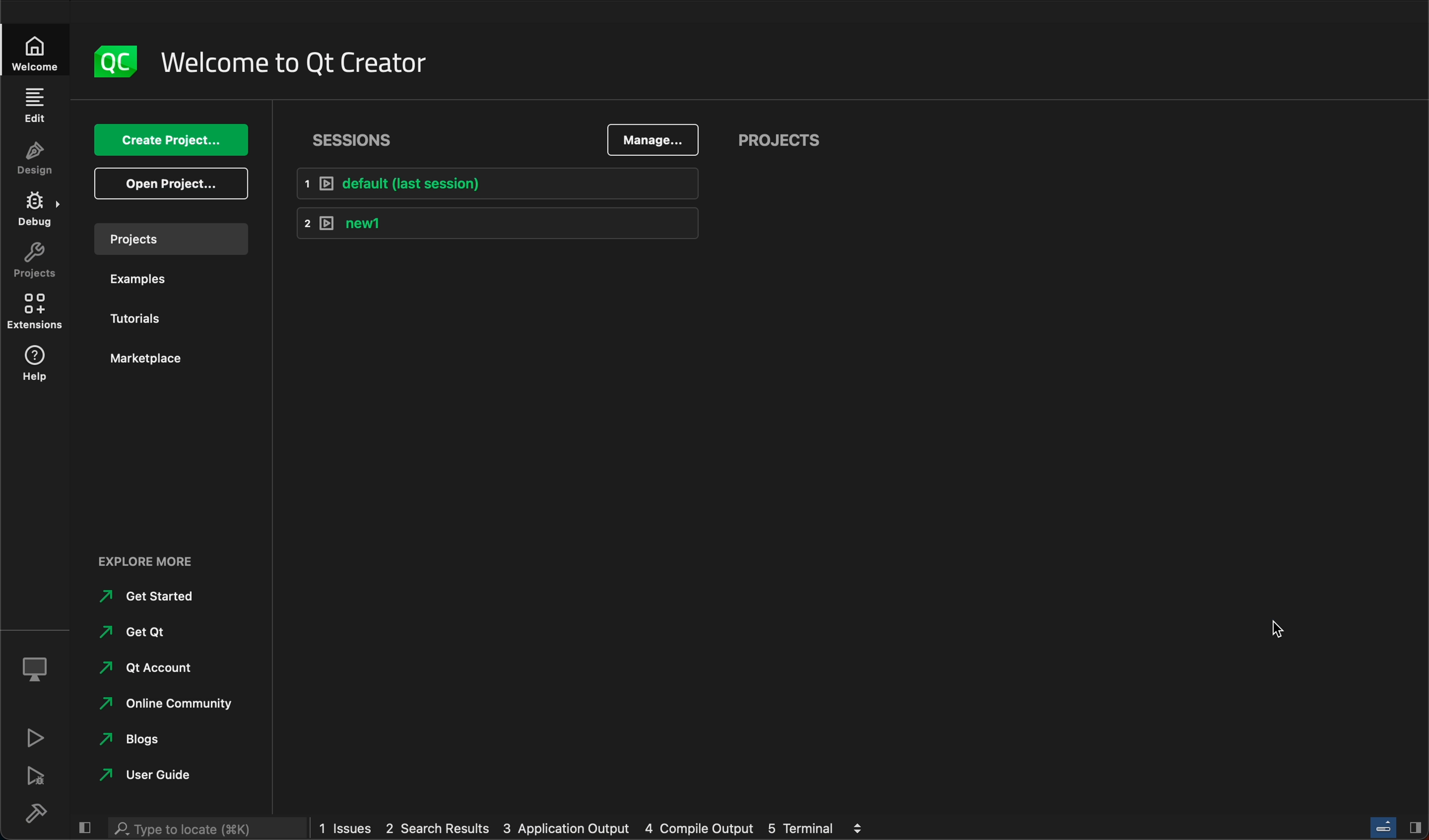 The height and width of the screenshot is (840, 1429). What do you see at coordinates (117, 58) in the screenshot?
I see `logo` at bounding box center [117, 58].